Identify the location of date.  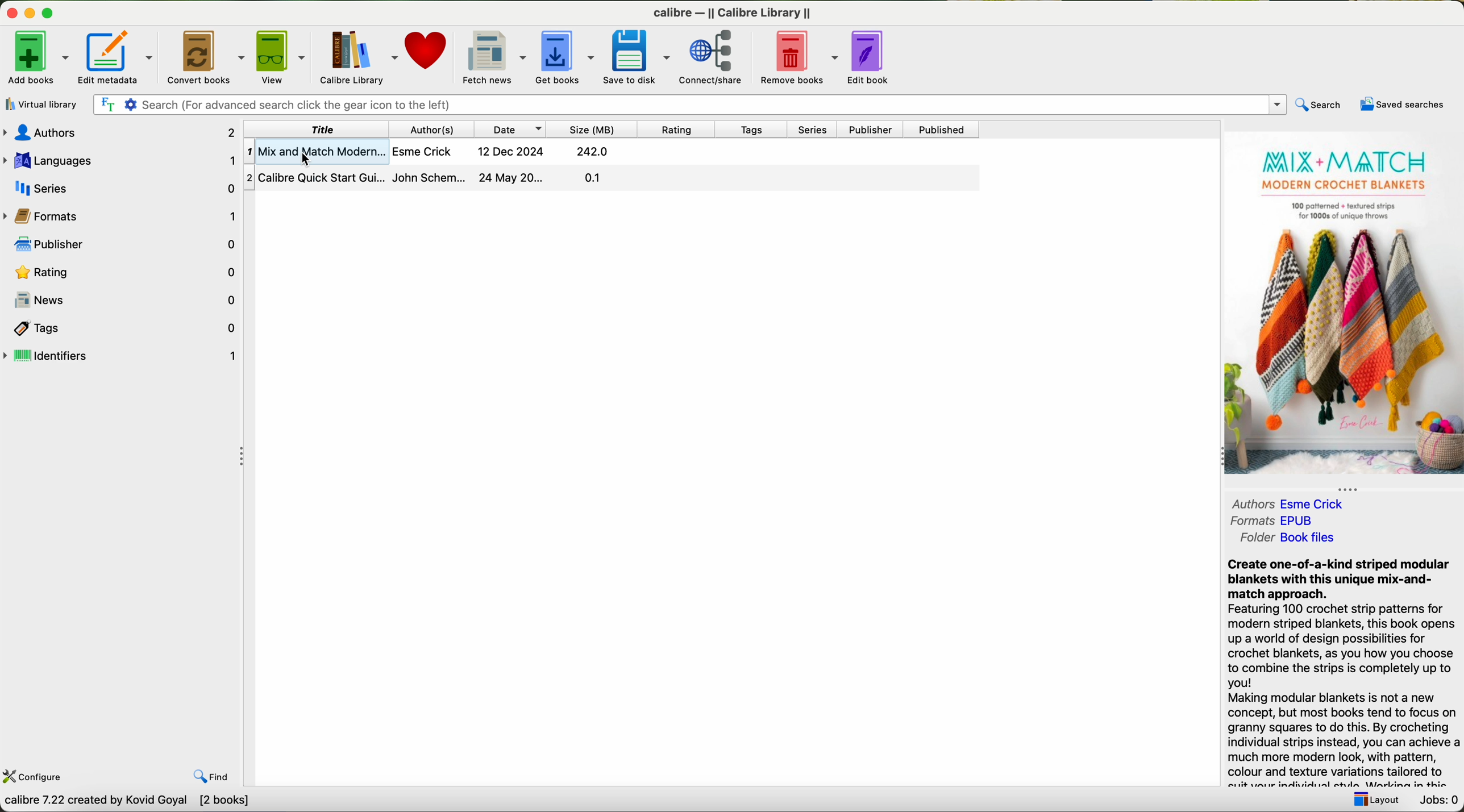
(511, 129).